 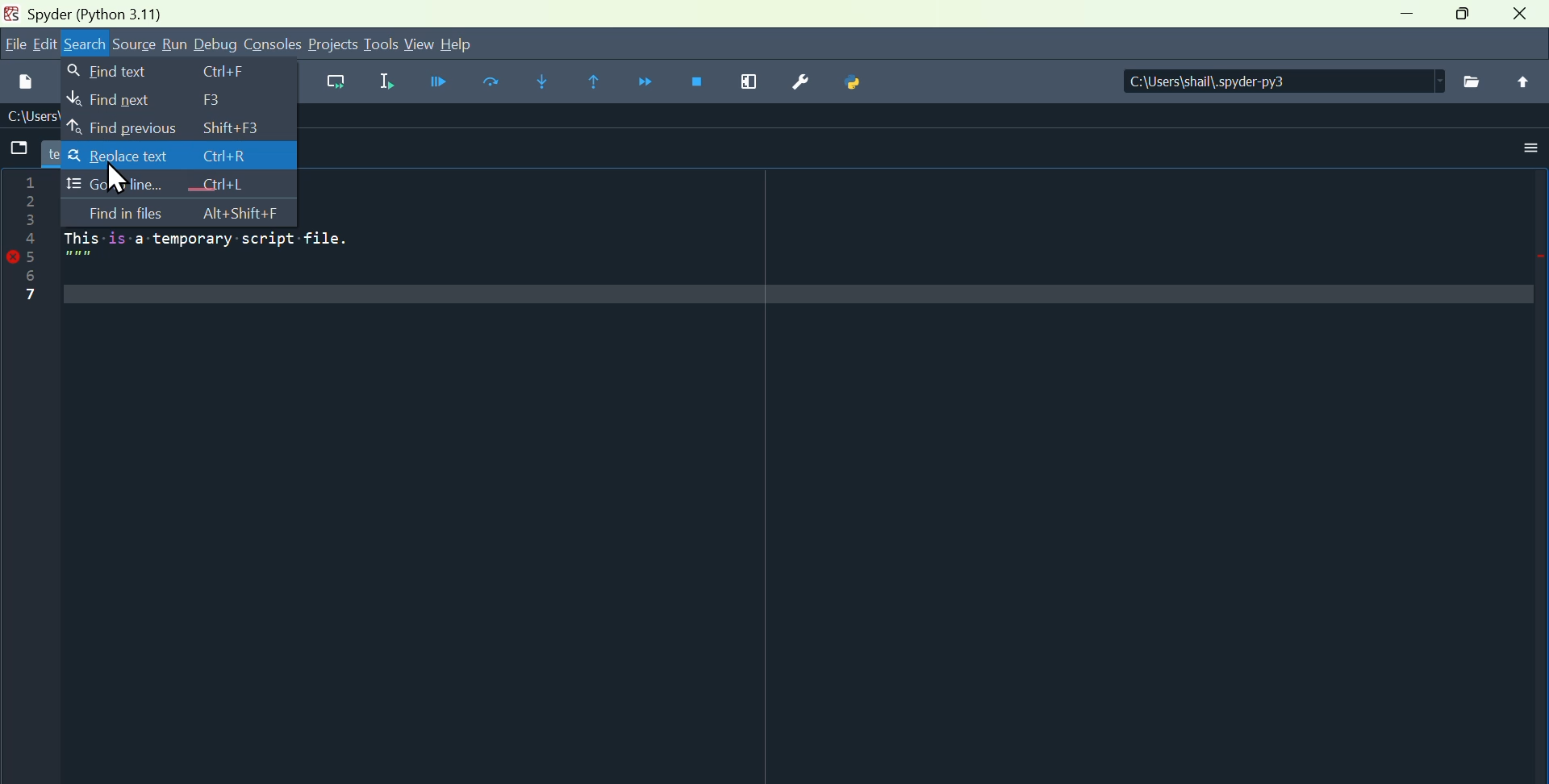 I want to click on More options, so click(x=1520, y=151).